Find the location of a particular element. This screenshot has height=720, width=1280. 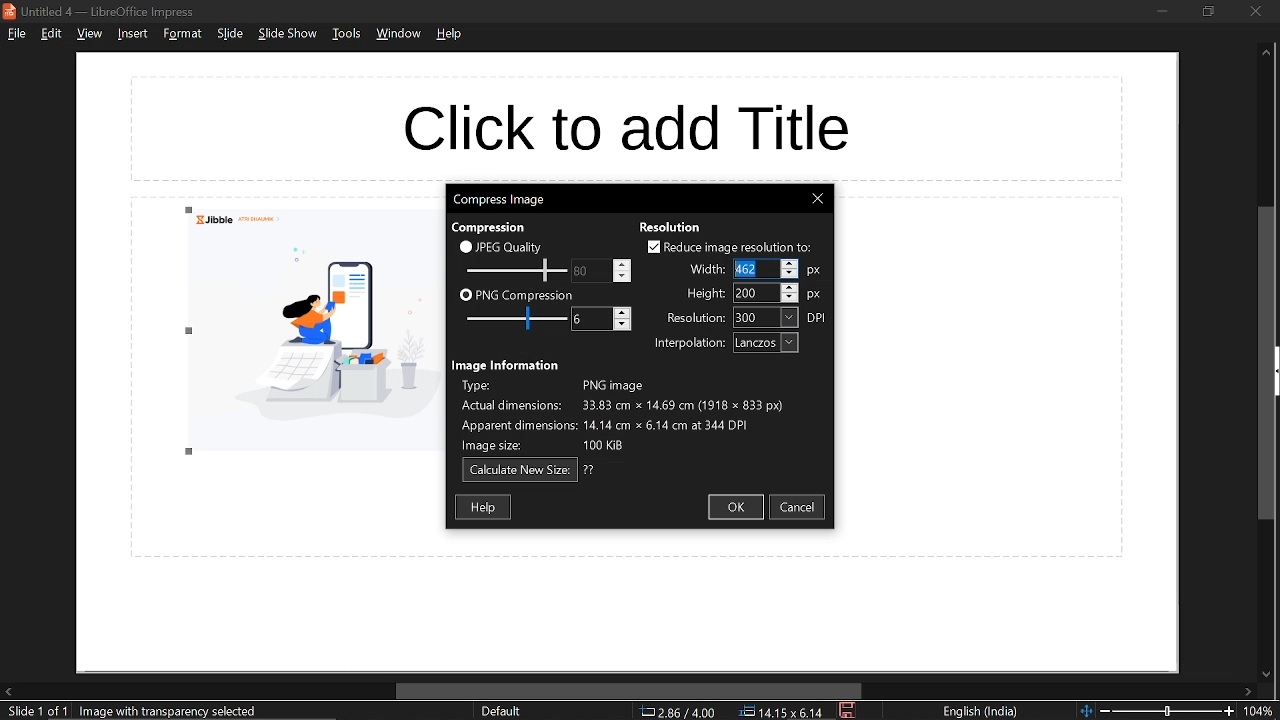

position is located at coordinates (781, 712).